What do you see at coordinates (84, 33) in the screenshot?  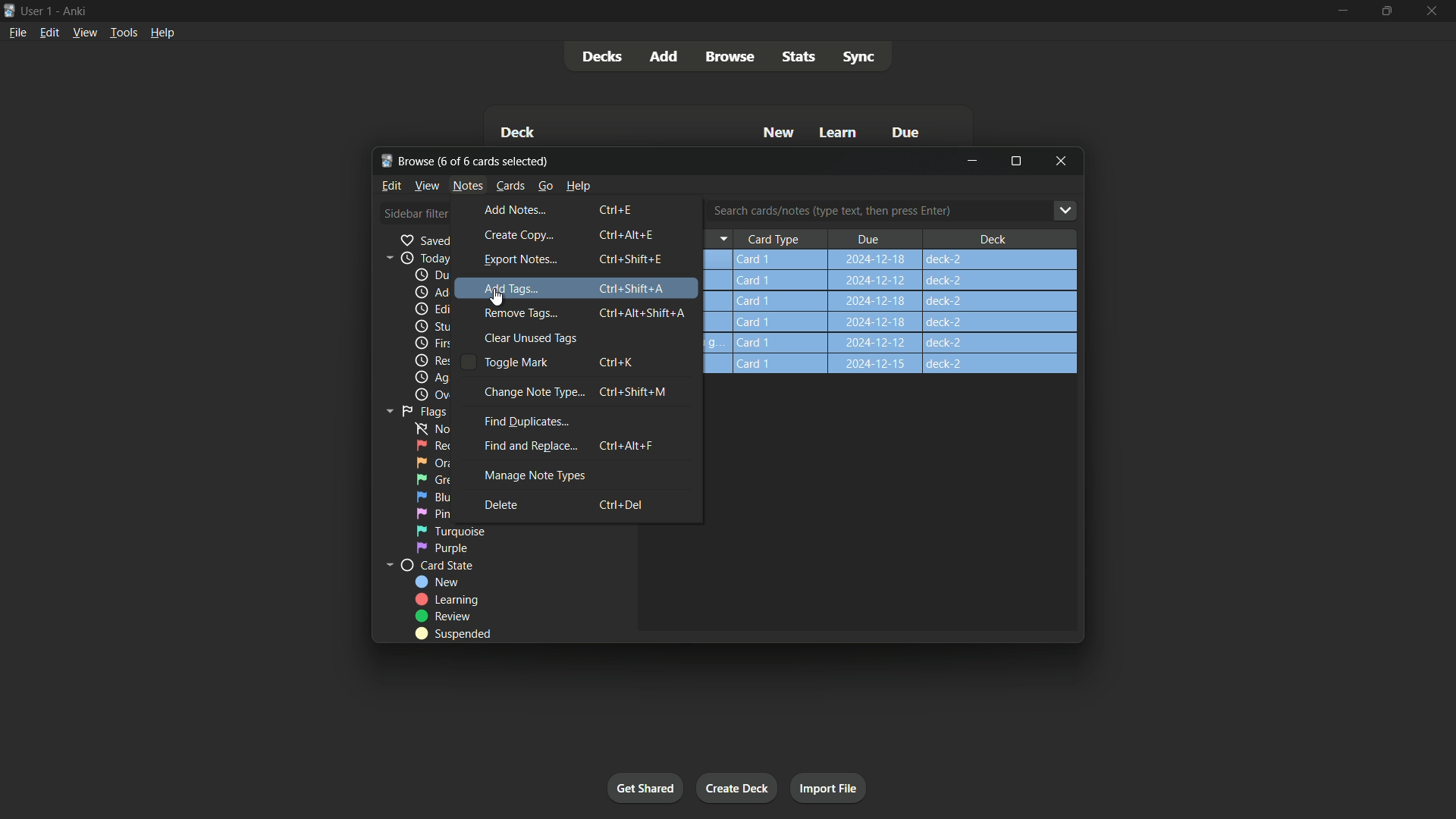 I see `View menu` at bounding box center [84, 33].